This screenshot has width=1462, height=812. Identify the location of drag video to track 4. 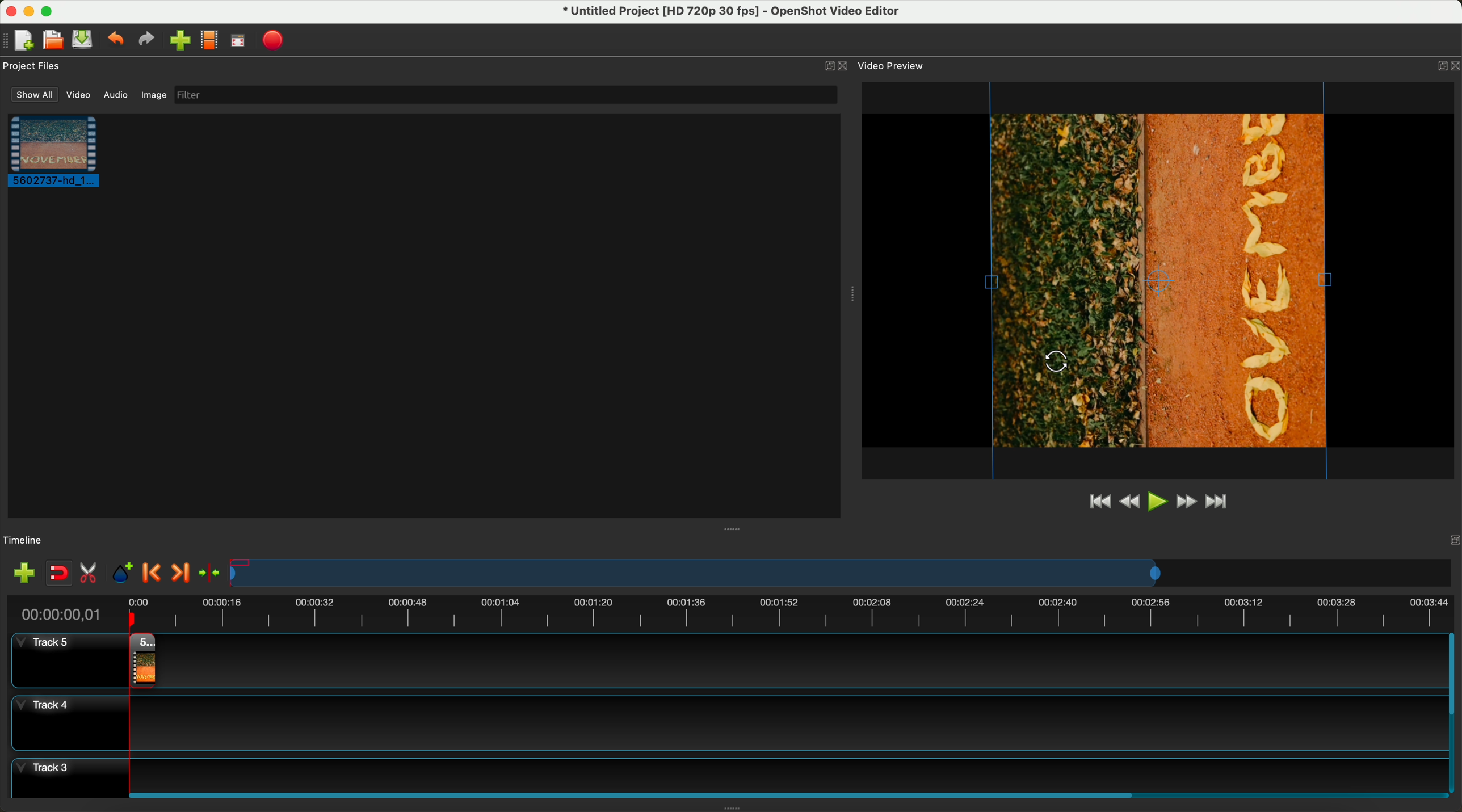
(140, 660).